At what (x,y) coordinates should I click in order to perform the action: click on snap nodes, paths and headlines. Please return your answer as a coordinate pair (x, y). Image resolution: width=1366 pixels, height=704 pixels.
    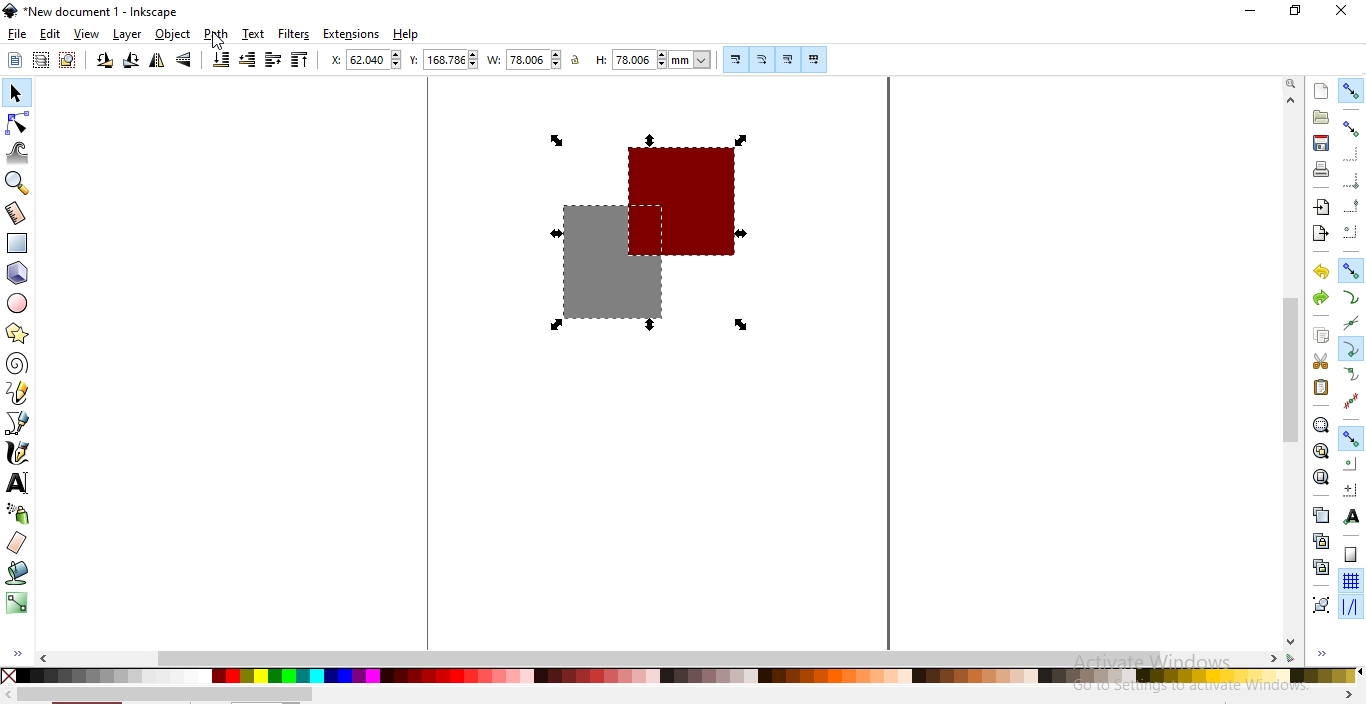
    Looking at the image, I should click on (1351, 270).